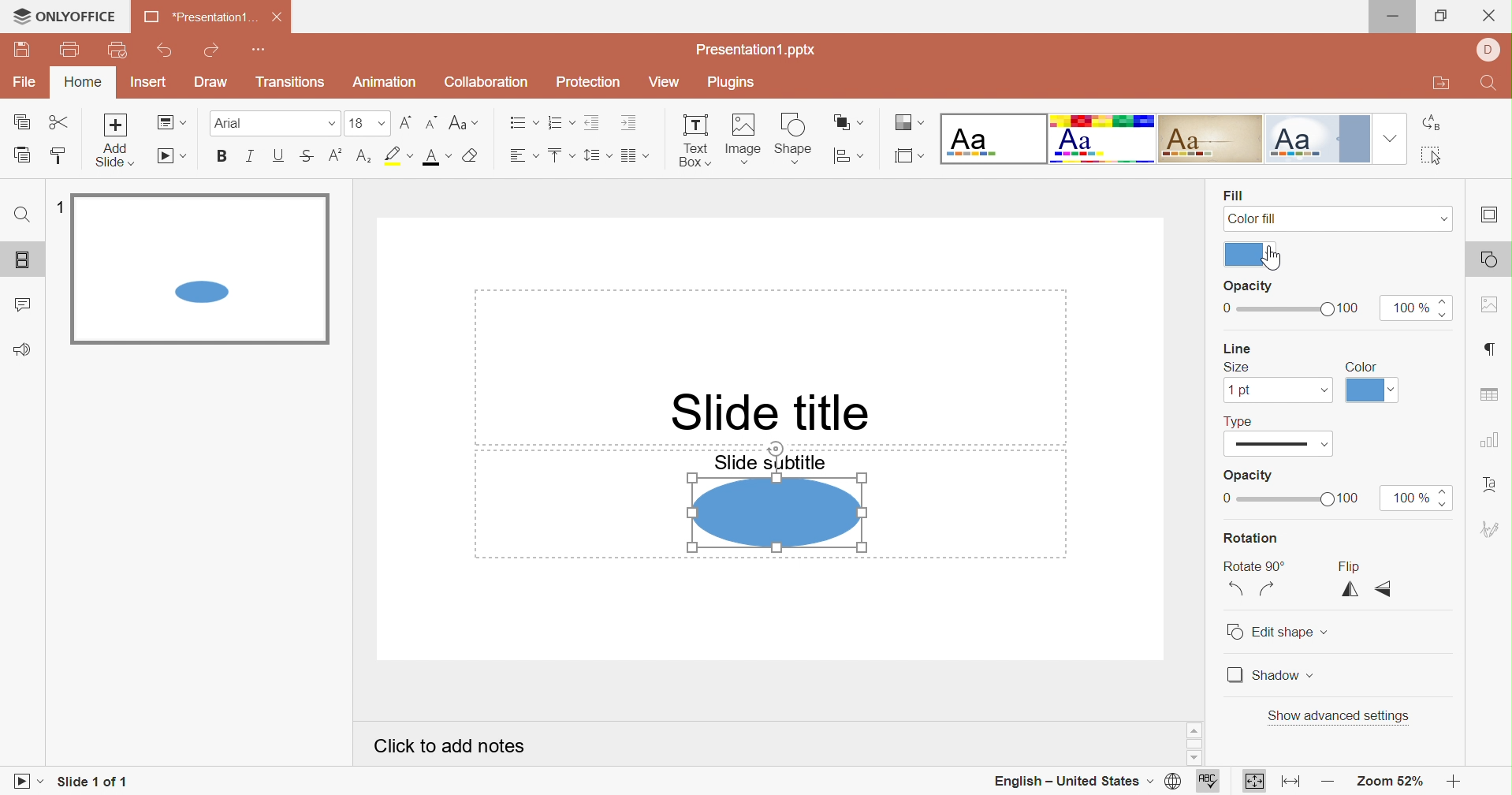 The image size is (1512, 795). What do you see at coordinates (486, 82) in the screenshot?
I see `Collaboration` at bounding box center [486, 82].